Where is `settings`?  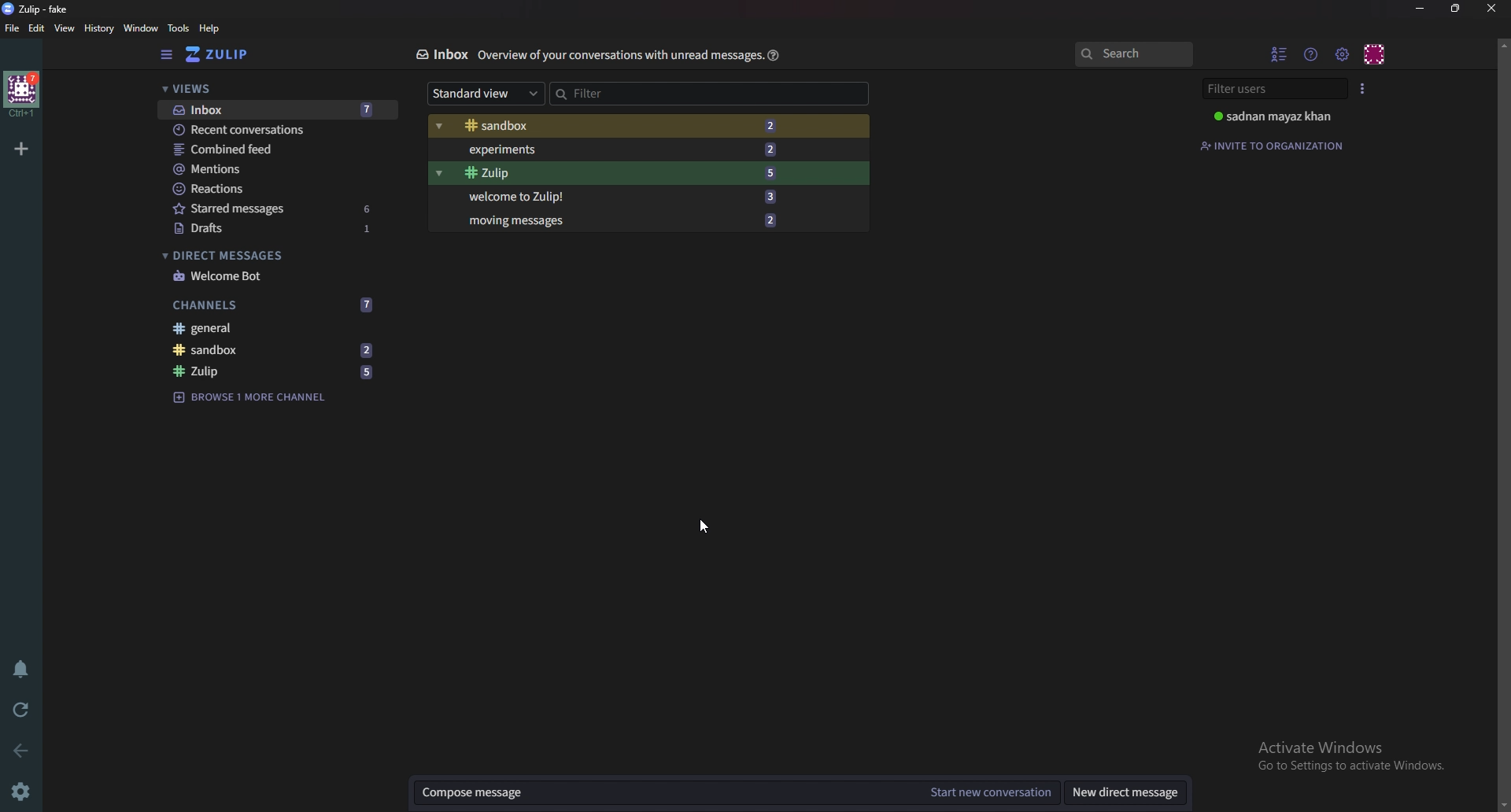
settings is located at coordinates (23, 792).